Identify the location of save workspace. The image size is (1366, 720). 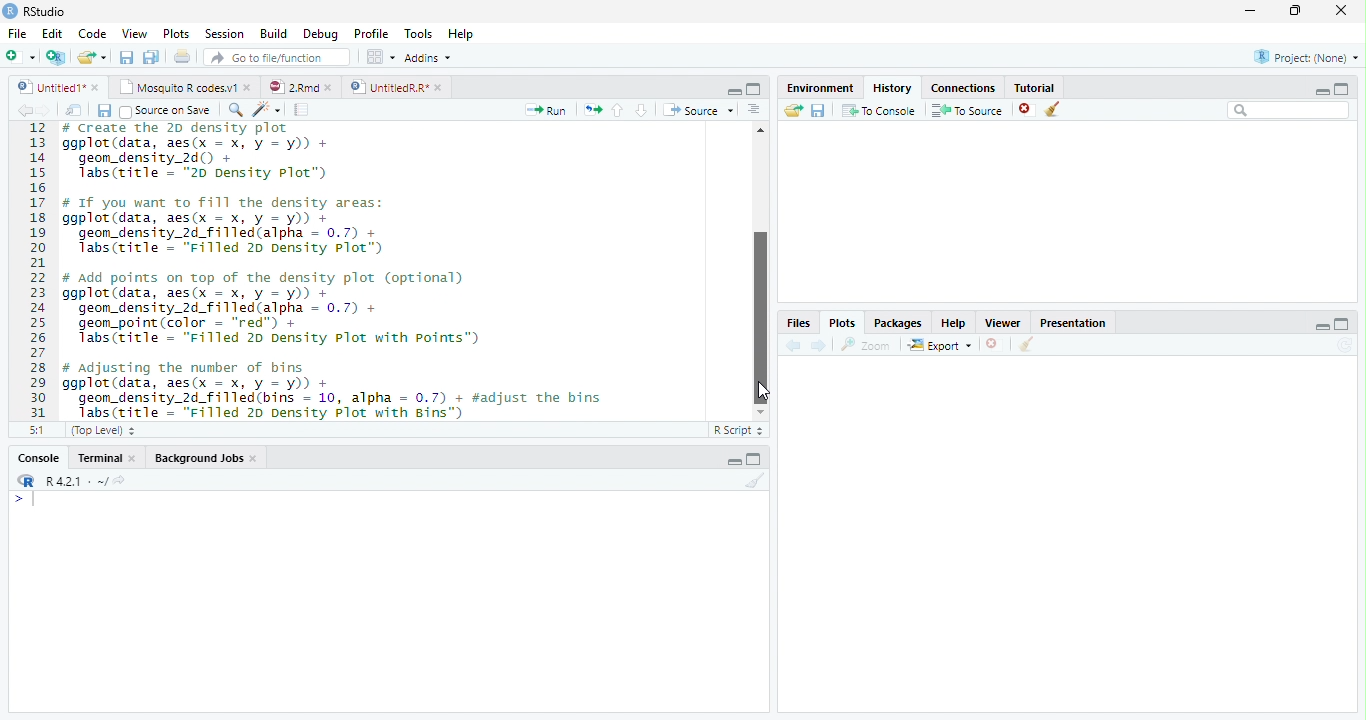
(820, 111).